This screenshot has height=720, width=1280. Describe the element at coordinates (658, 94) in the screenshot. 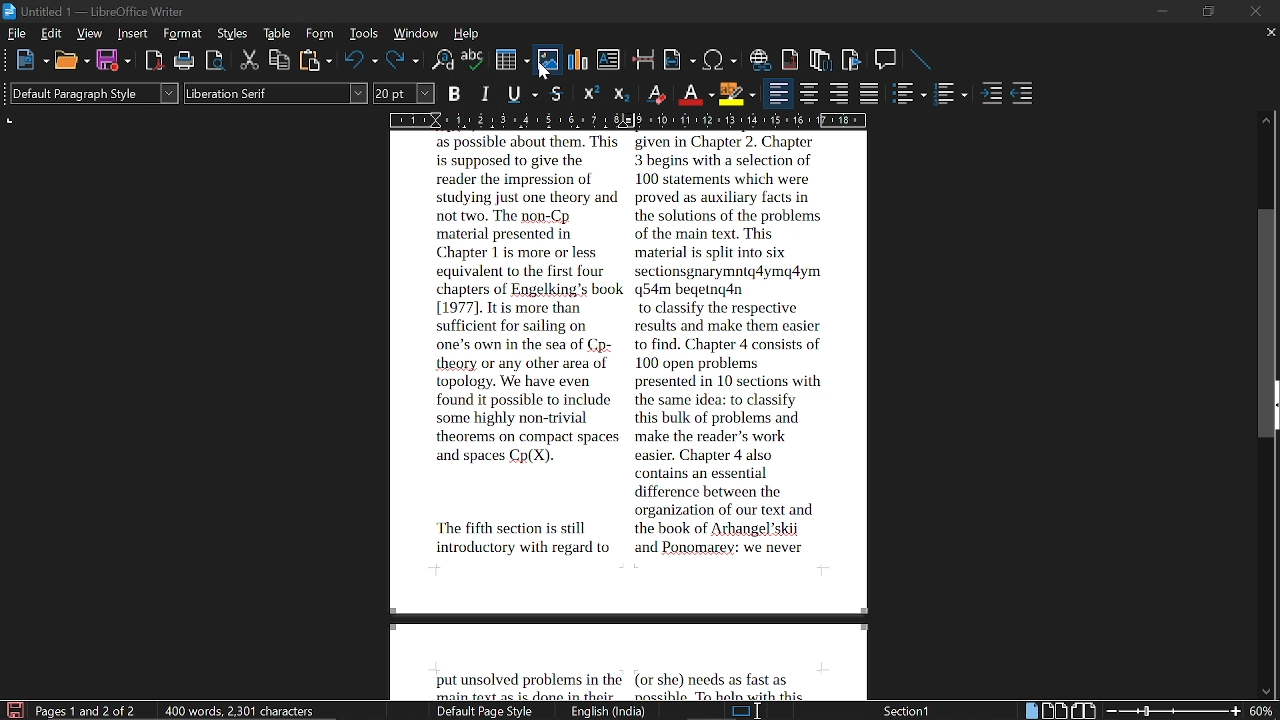

I see `Eraser` at that location.